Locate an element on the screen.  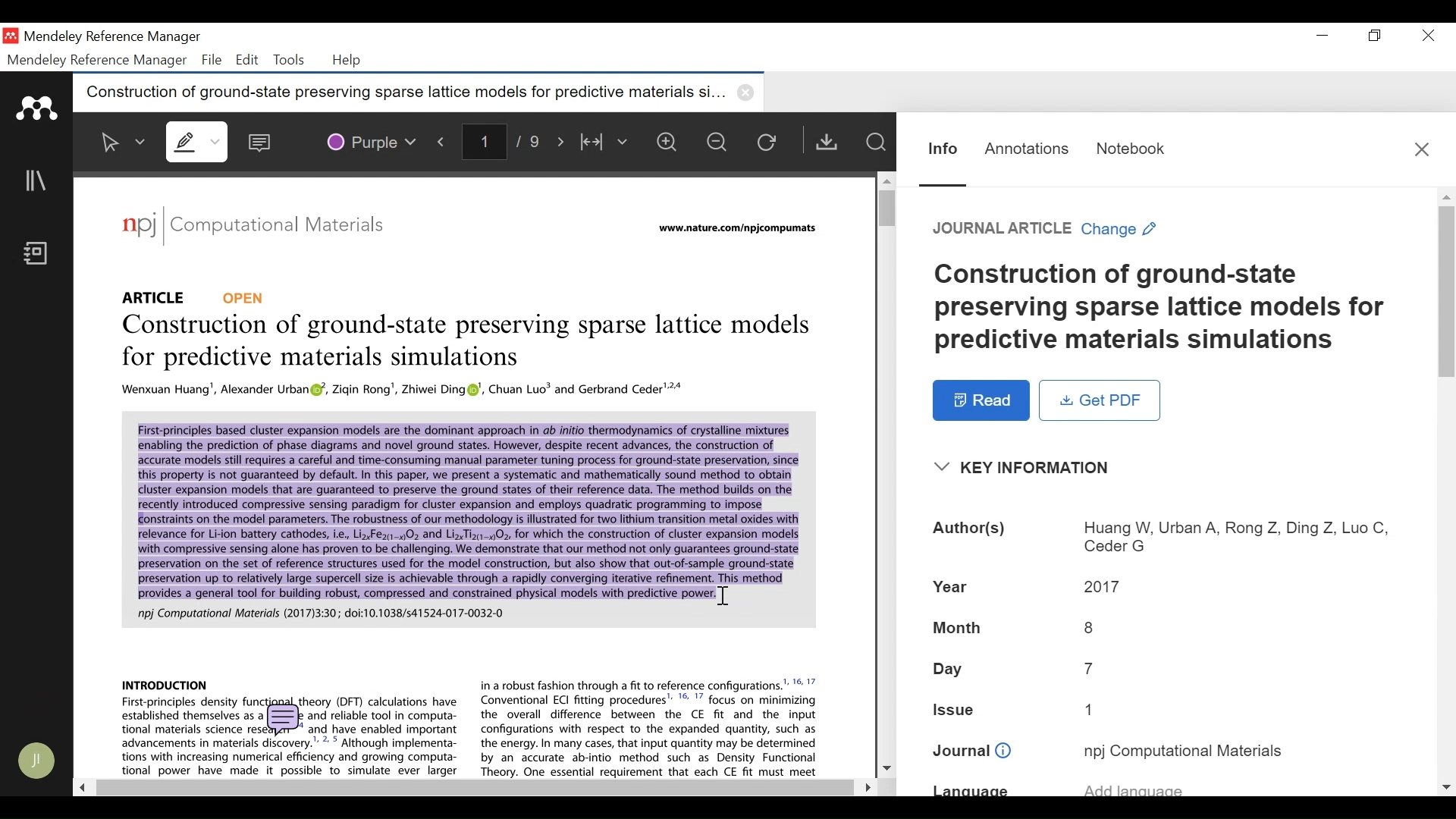
Tools is located at coordinates (287, 60).